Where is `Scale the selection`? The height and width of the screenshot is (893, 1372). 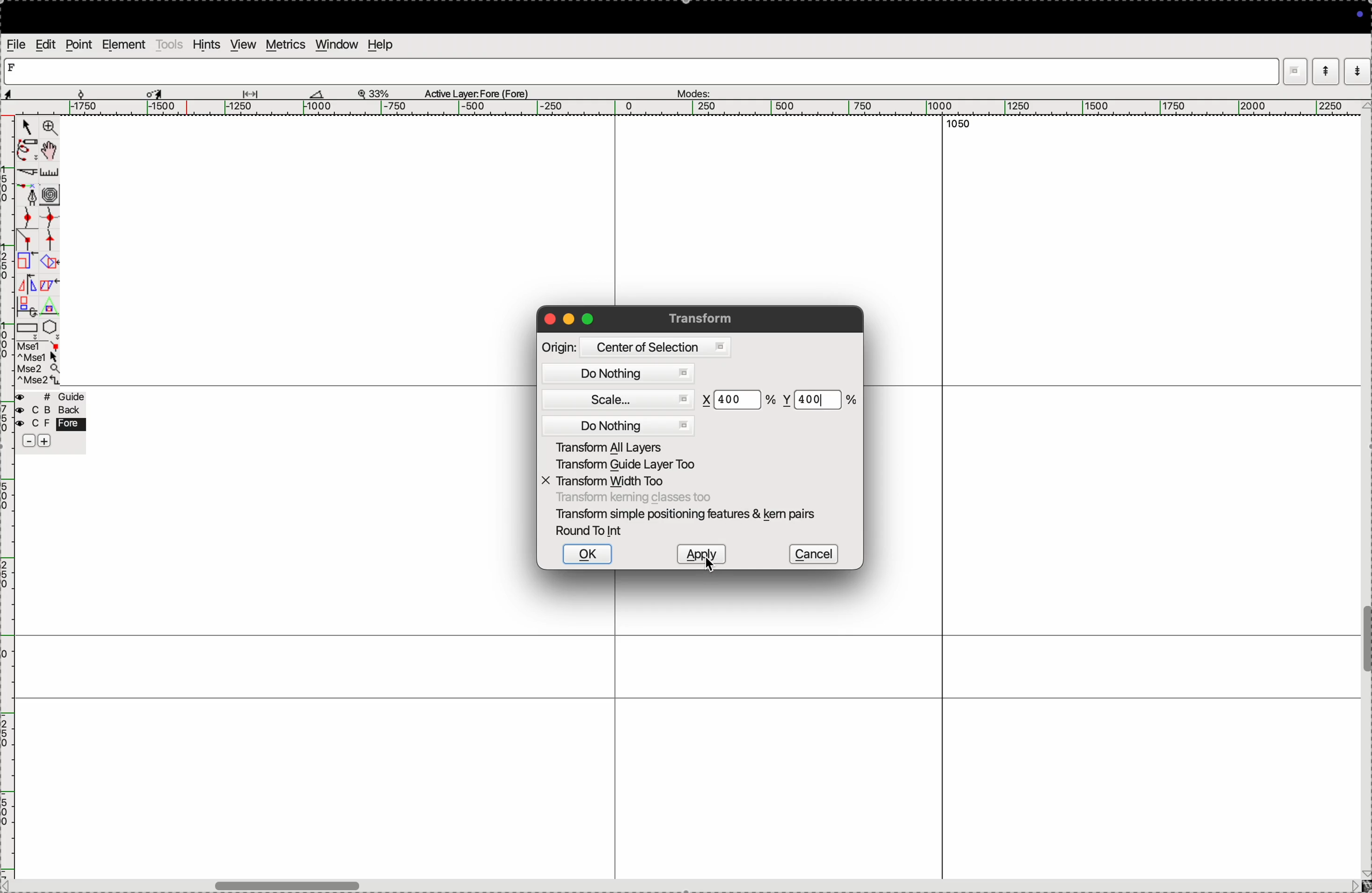
Scale the selection is located at coordinates (27, 264).